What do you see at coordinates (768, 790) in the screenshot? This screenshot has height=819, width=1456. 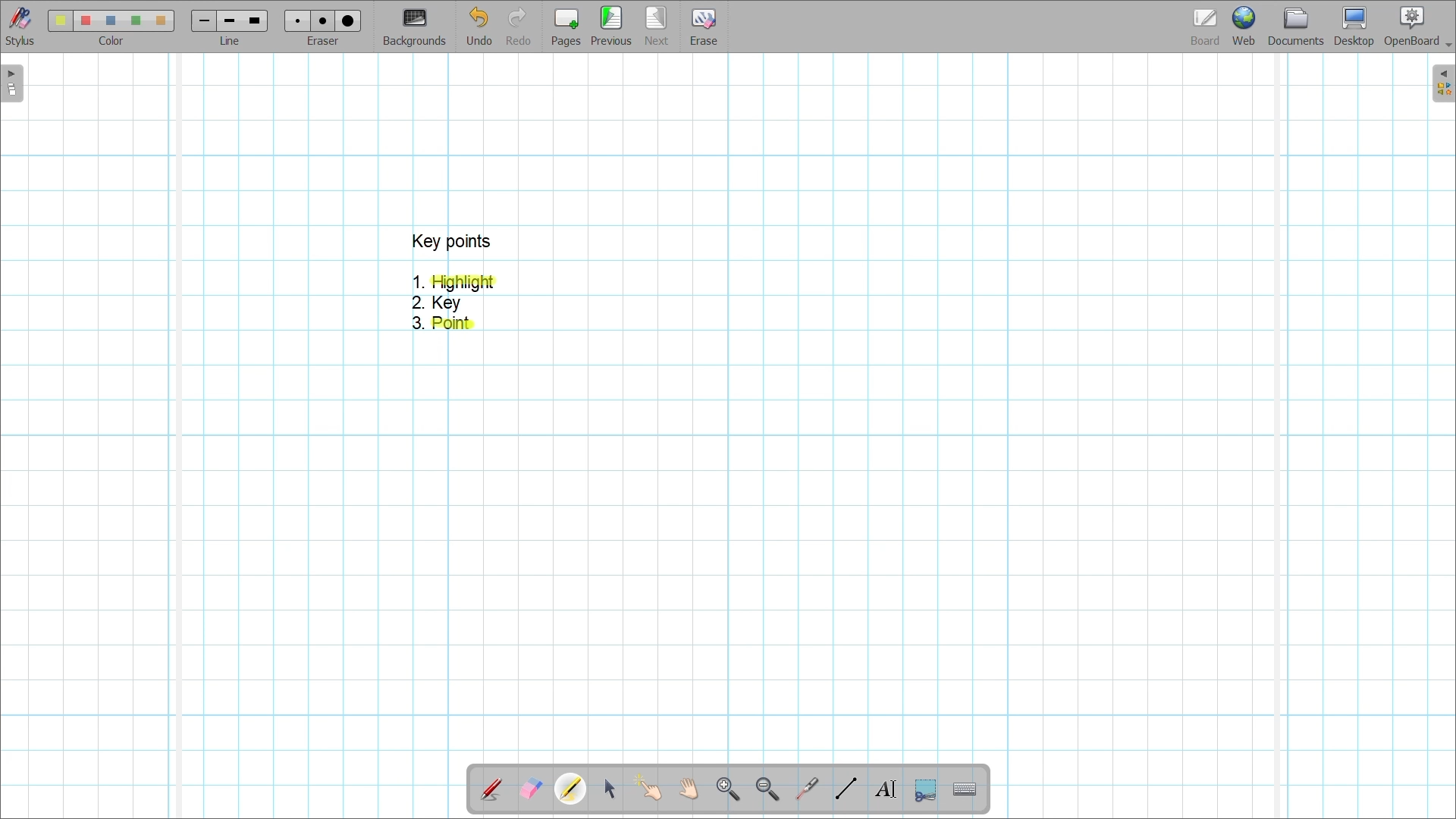 I see `Zoom out` at bounding box center [768, 790].